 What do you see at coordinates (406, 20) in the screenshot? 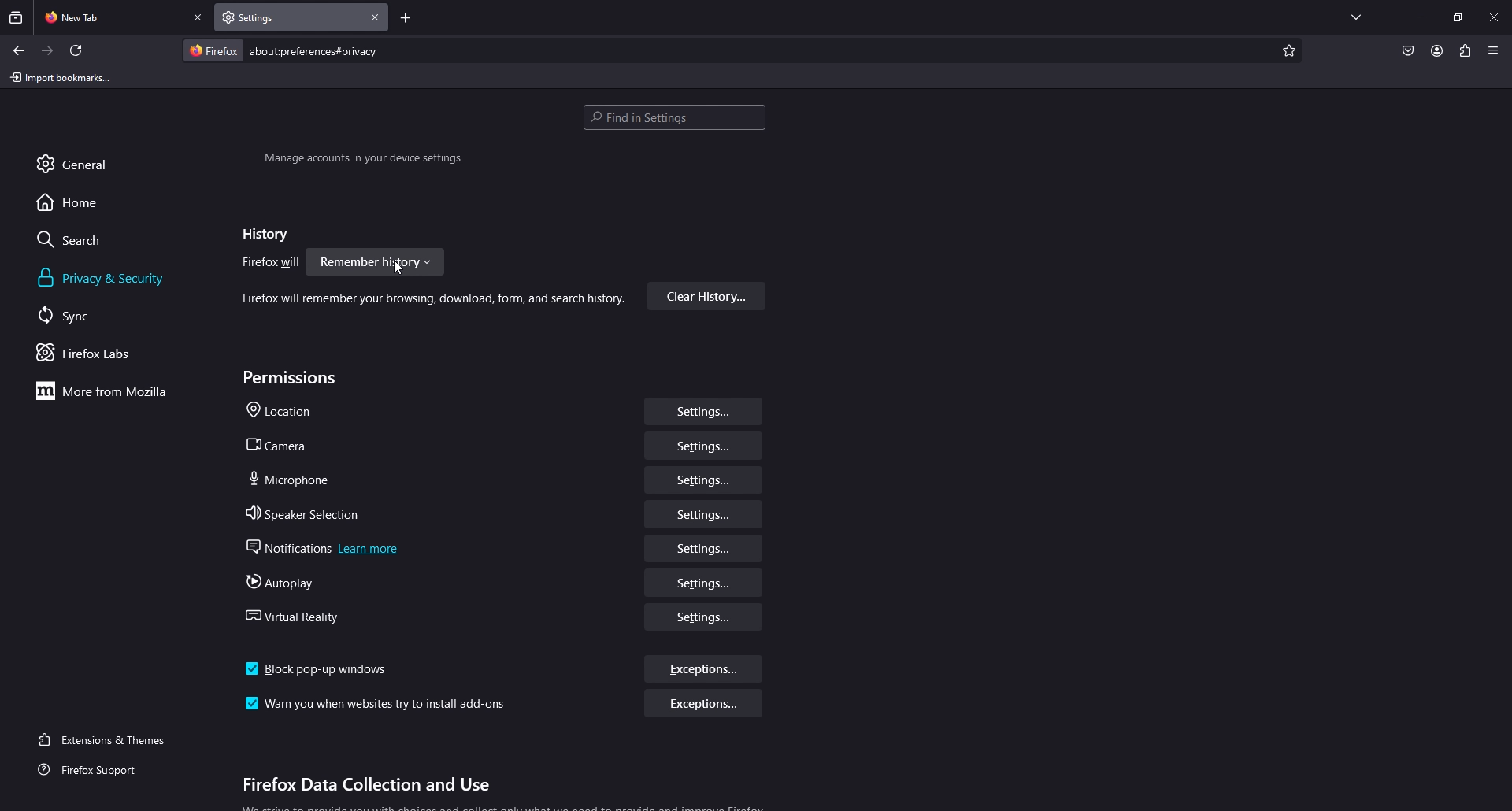
I see `add tab` at bounding box center [406, 20].